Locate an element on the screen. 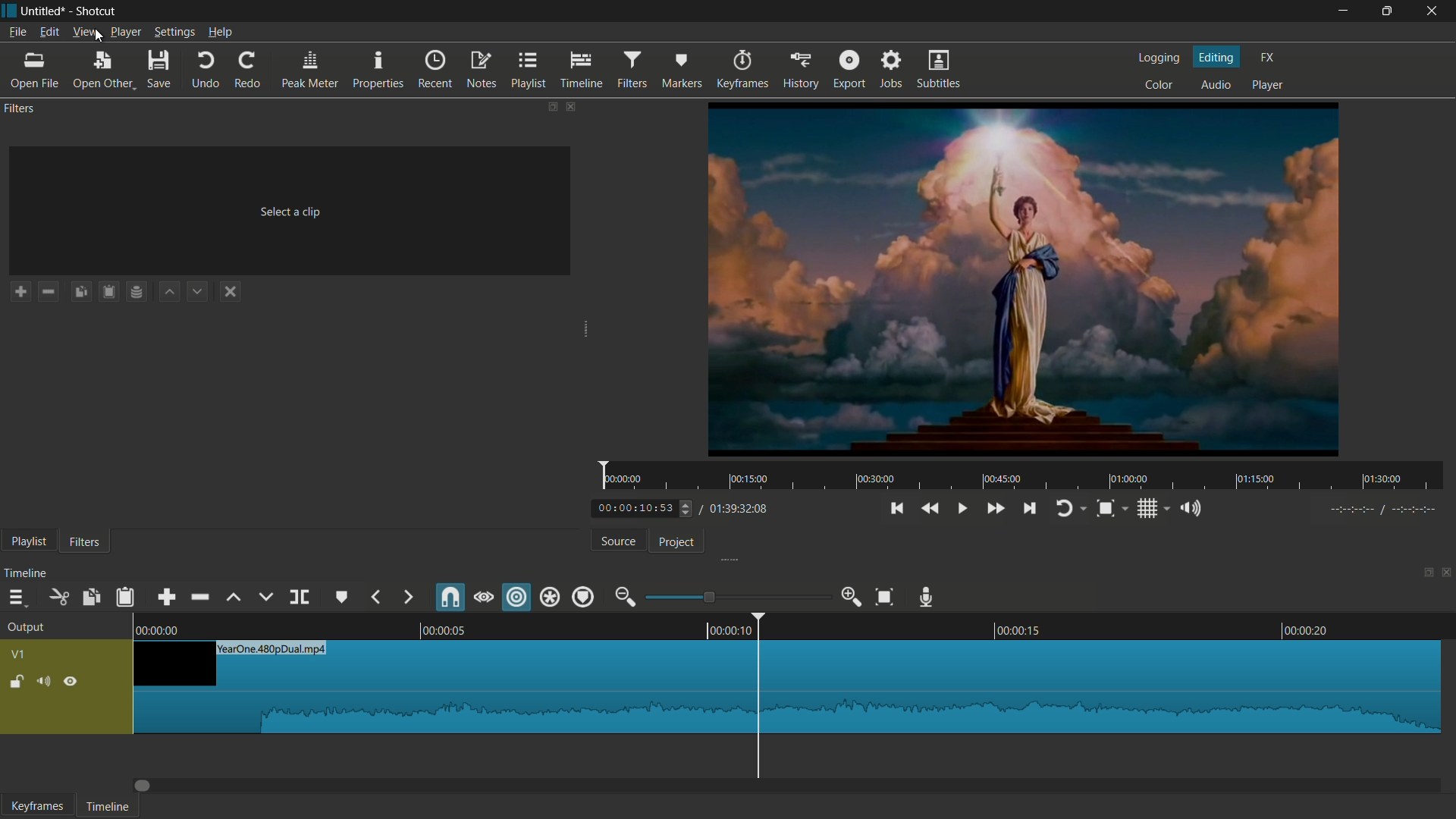 This screenshot has width=1456, height=819. view menu is located at coordinates (86, 32).